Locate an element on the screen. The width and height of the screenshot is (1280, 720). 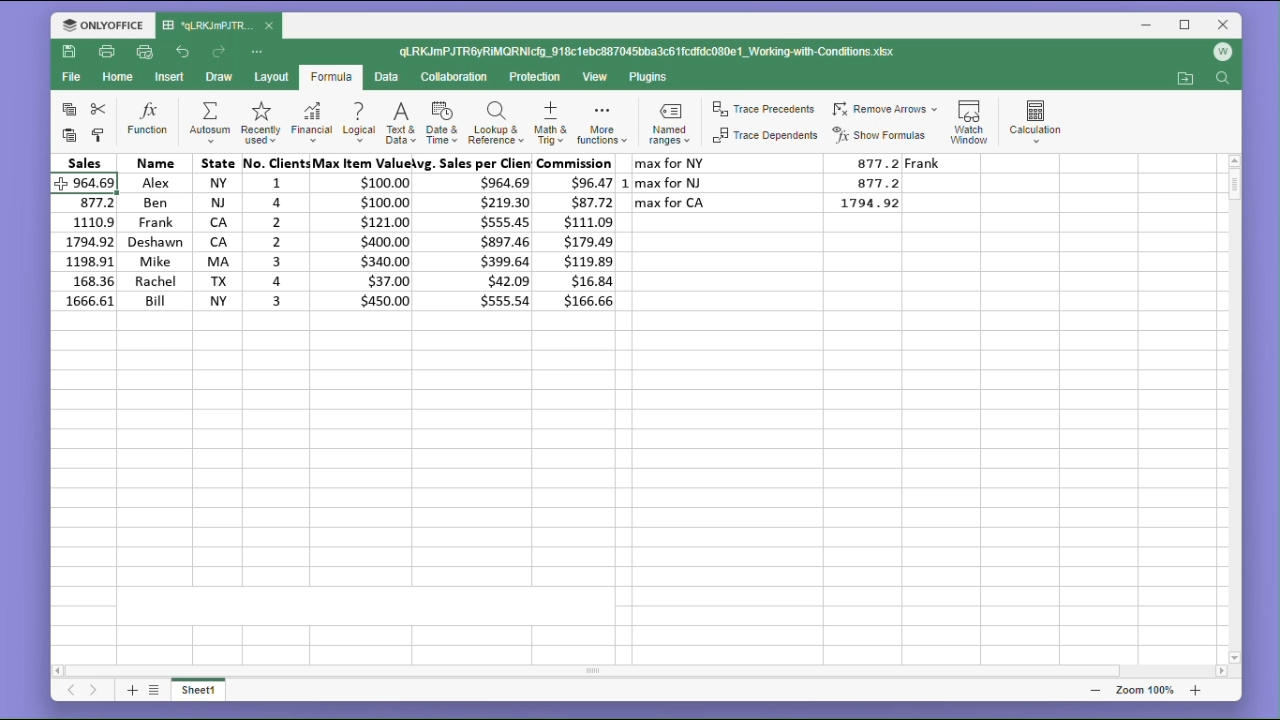
maths & trig is located at coordinates (549, 124).